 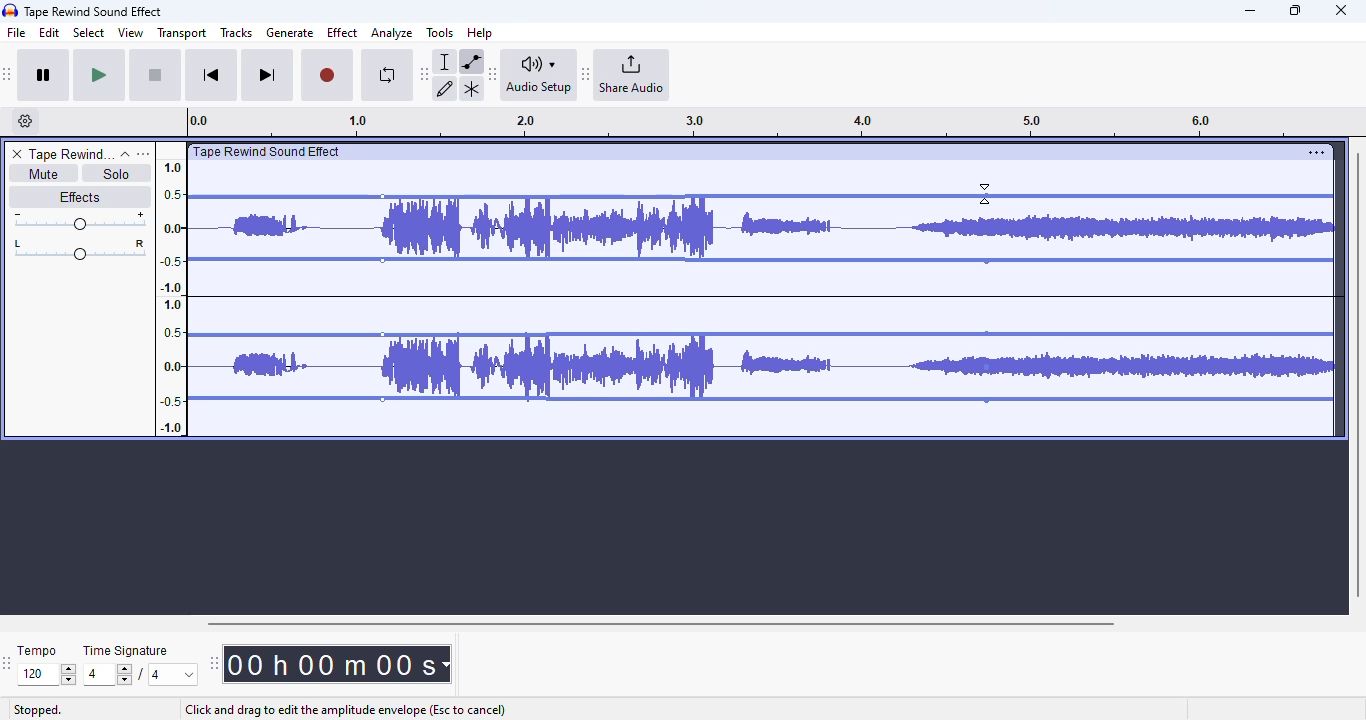 I want to click on analyze, so click(x=392, y=33).